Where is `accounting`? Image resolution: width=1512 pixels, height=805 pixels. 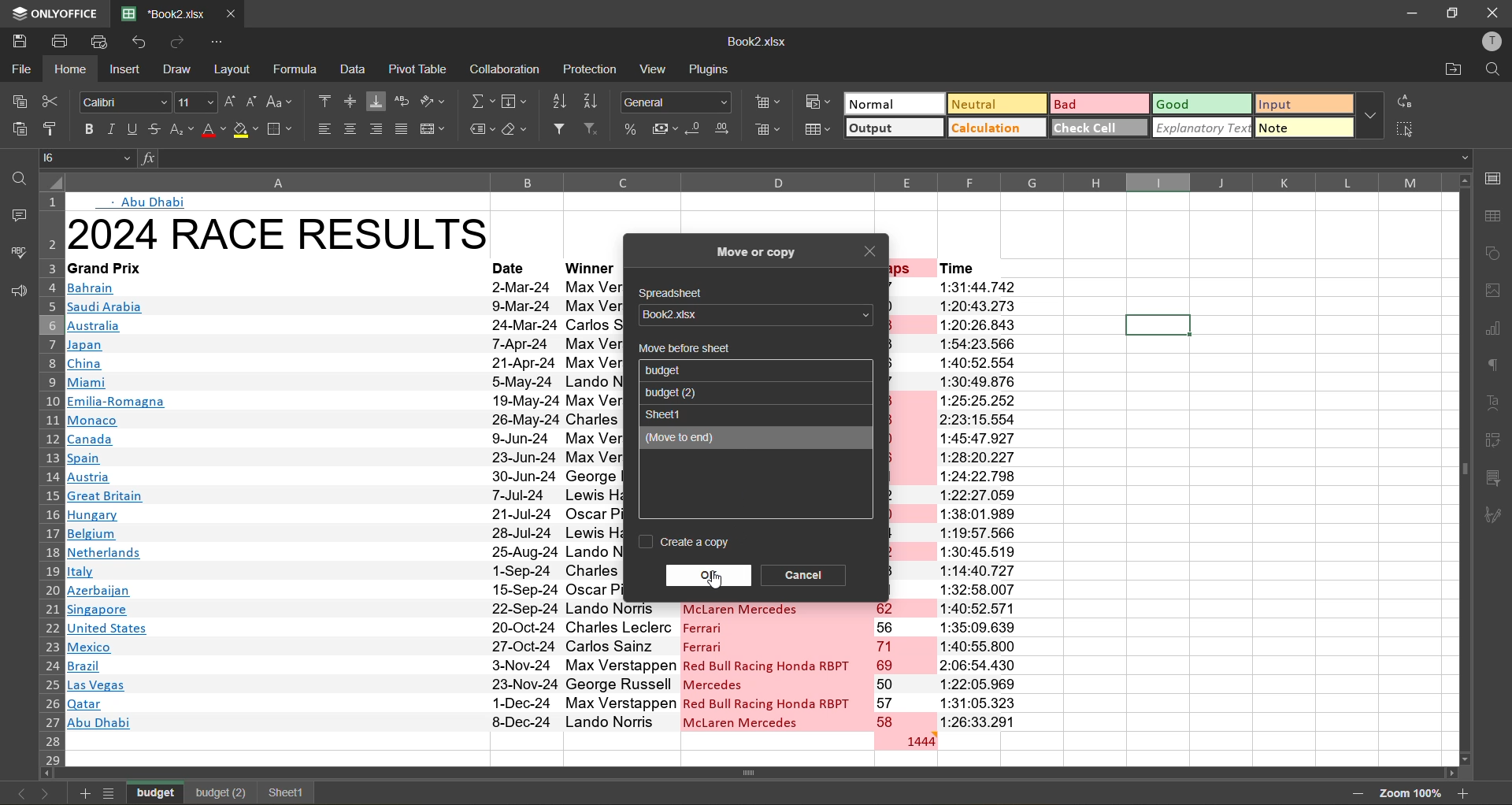 accounting is located at coordinates (666, 129).